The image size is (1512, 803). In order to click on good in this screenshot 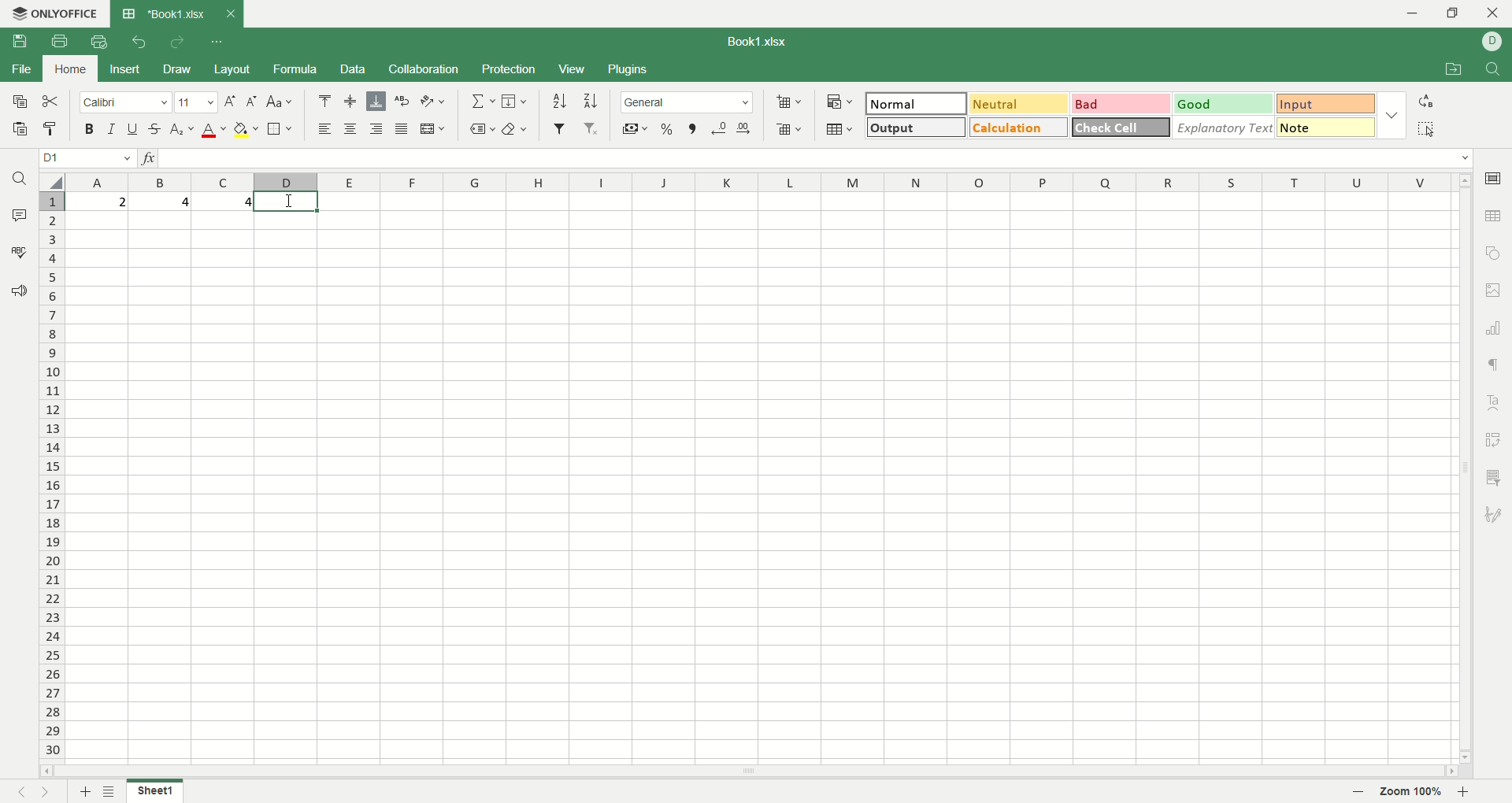, I will do `click(1224, 105)`.